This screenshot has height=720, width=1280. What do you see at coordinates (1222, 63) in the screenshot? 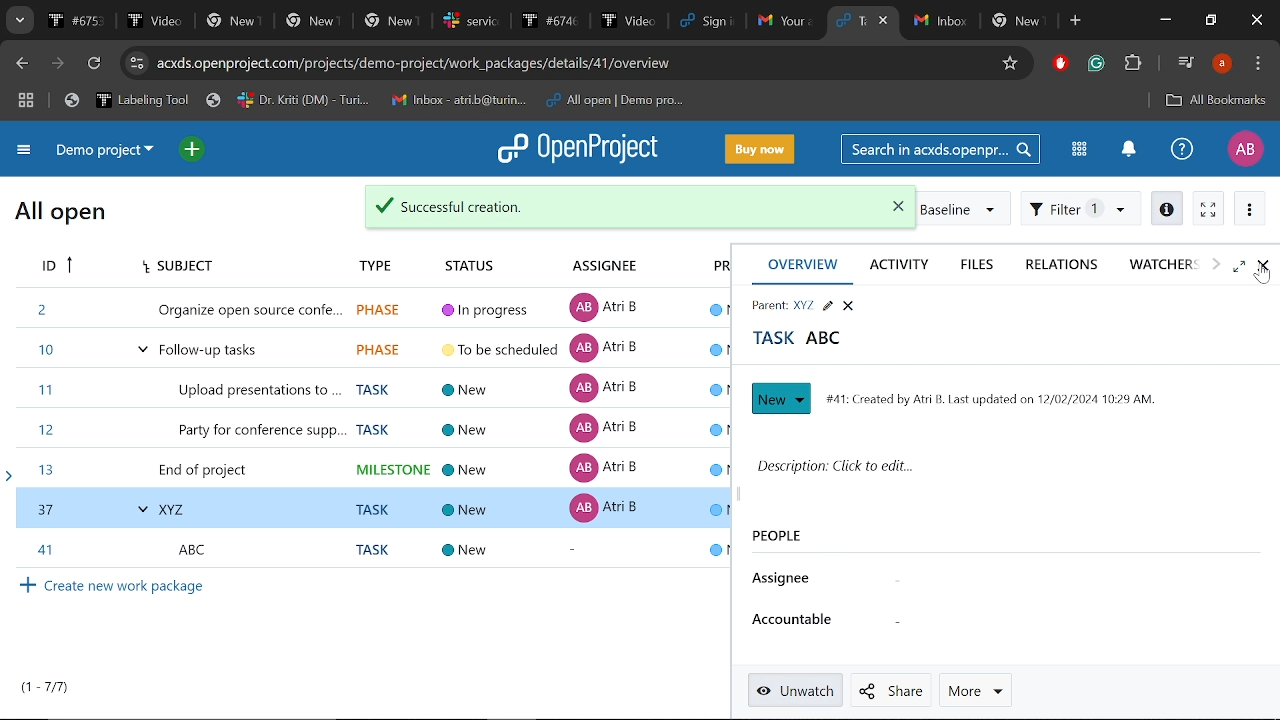
I see `profile` at bounding box center [1222, 63].